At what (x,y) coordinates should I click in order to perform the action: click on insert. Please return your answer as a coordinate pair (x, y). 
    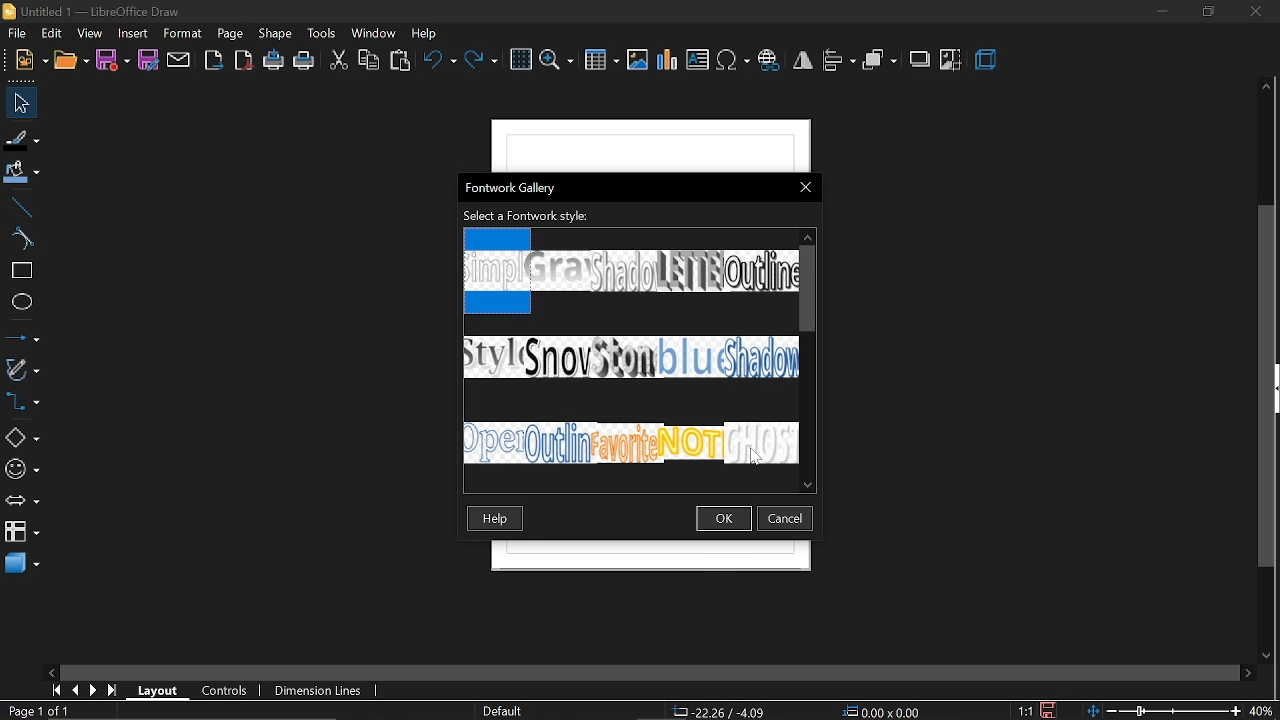
    Looking at the image, I should click on (133, 35).